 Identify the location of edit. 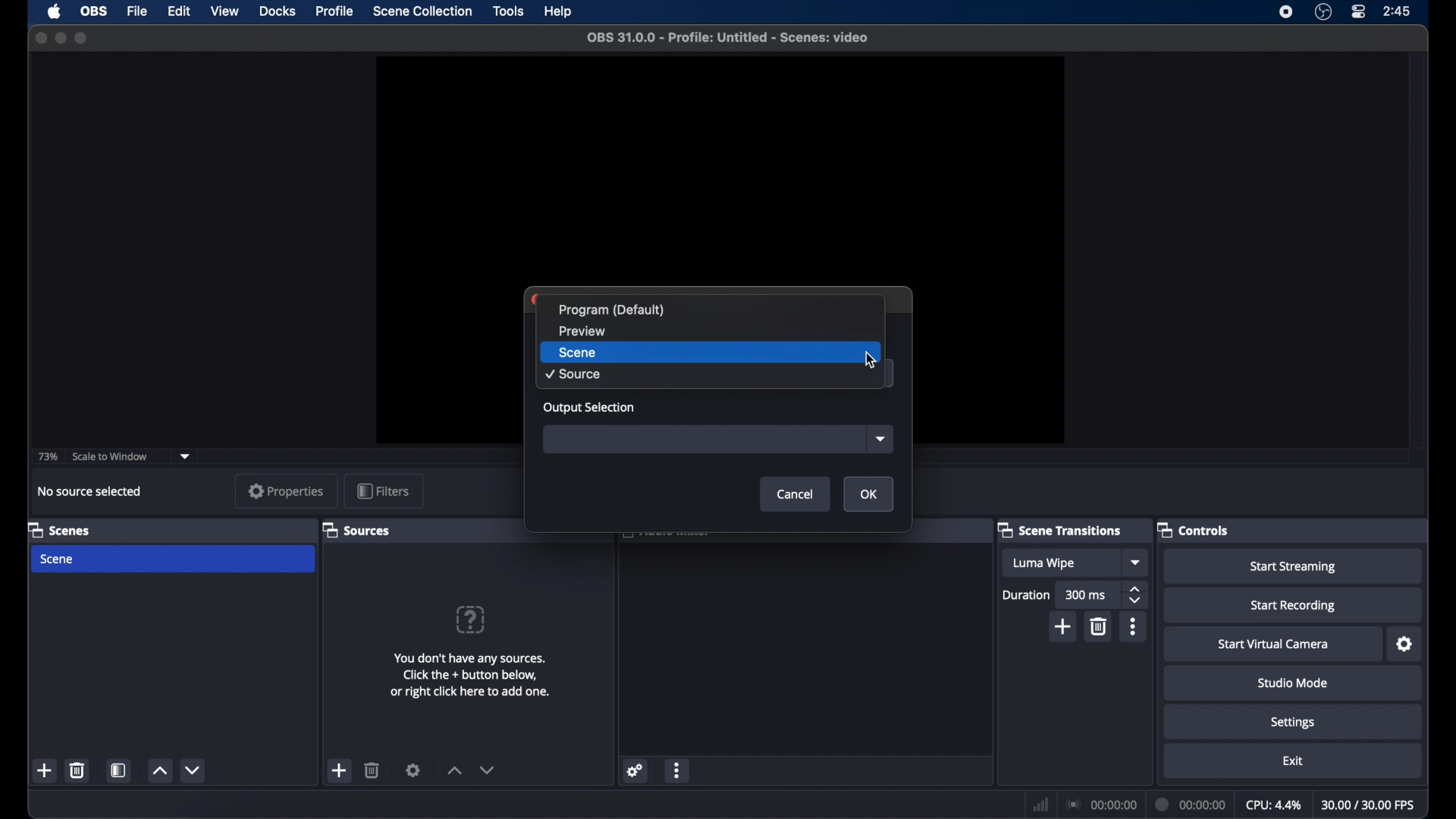
(178, 10).